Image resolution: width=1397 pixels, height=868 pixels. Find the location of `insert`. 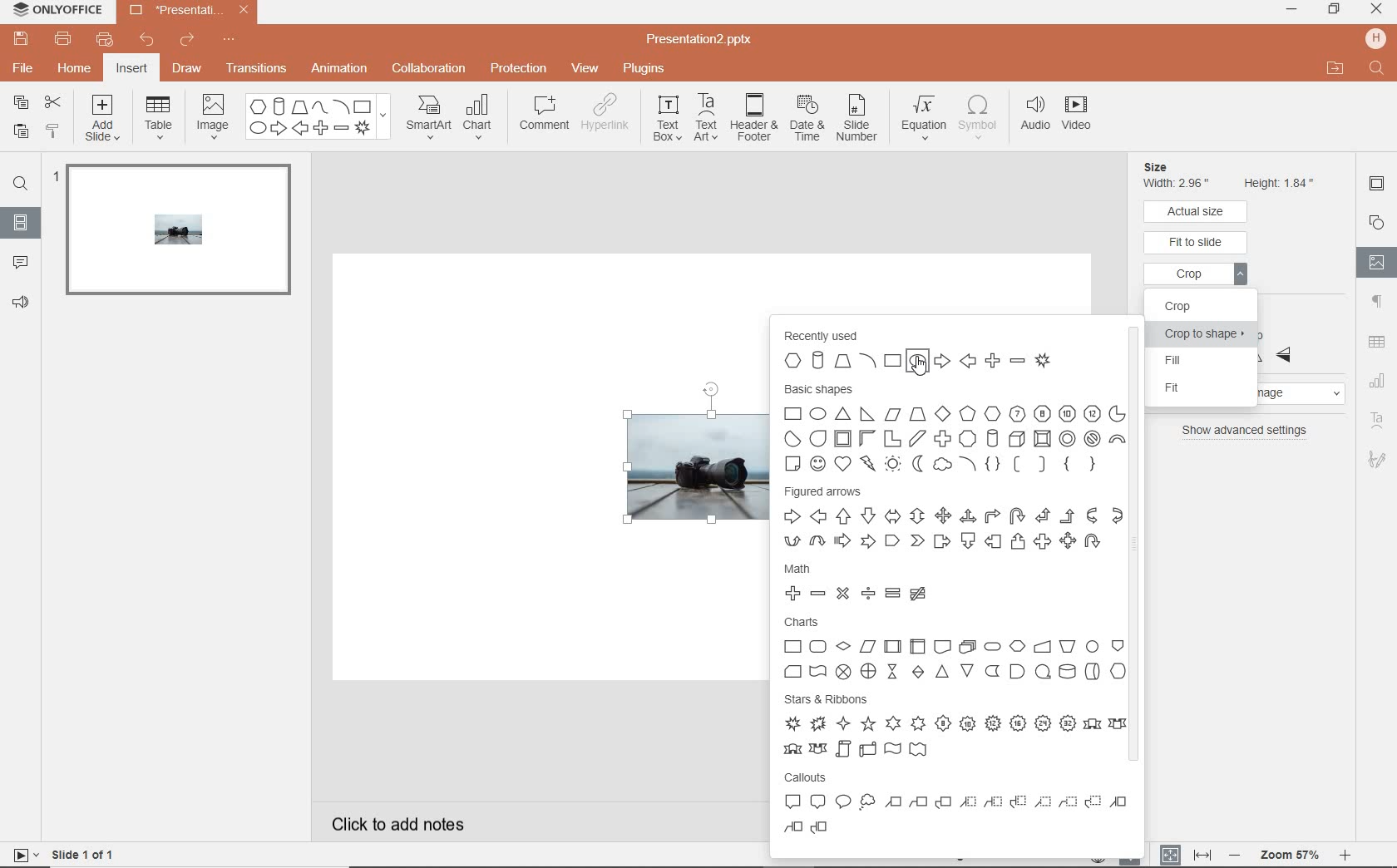

insert is located at coordinates (133, 68).